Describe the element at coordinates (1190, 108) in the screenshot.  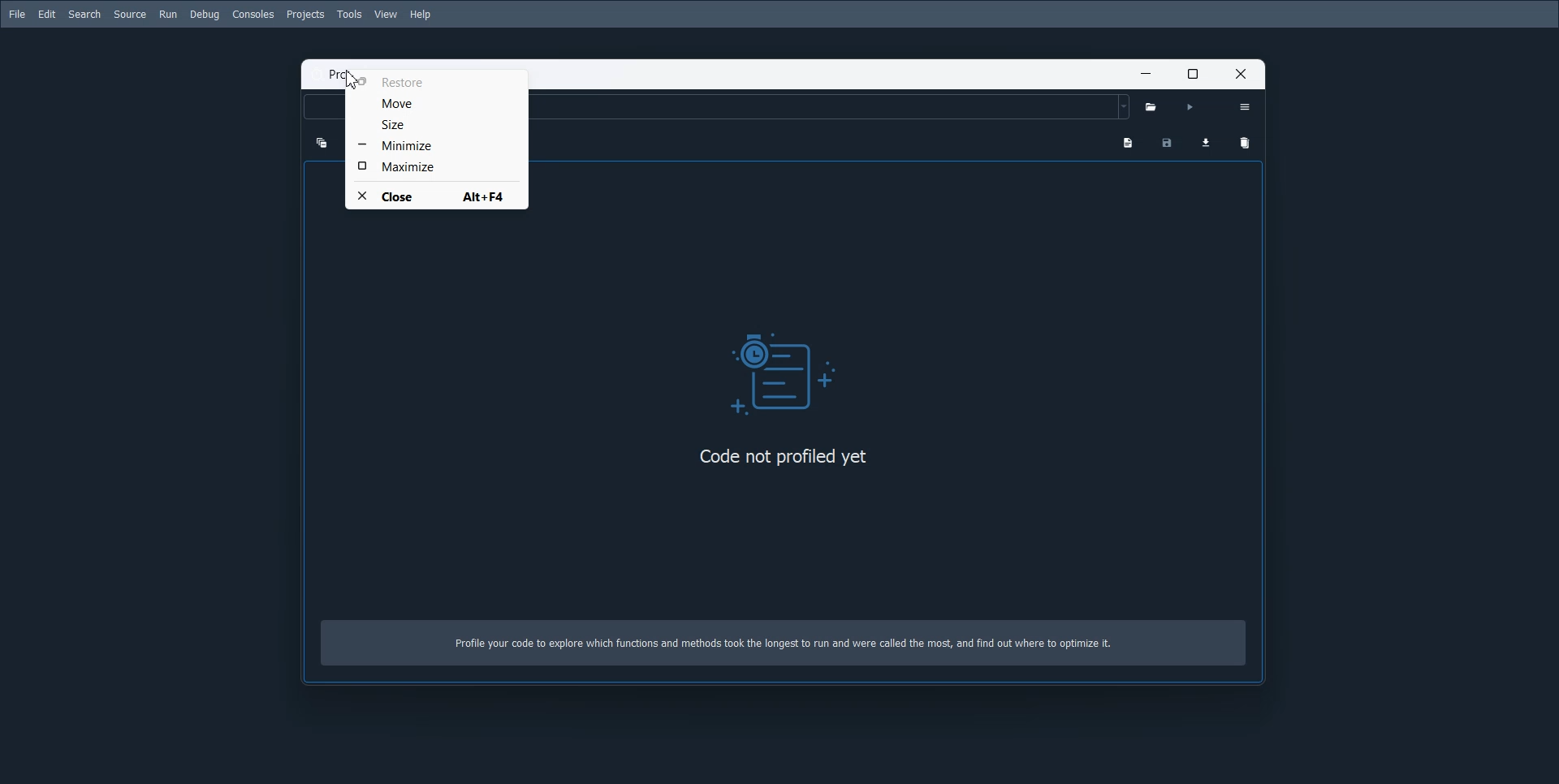
I see `Run Profile` at that location.